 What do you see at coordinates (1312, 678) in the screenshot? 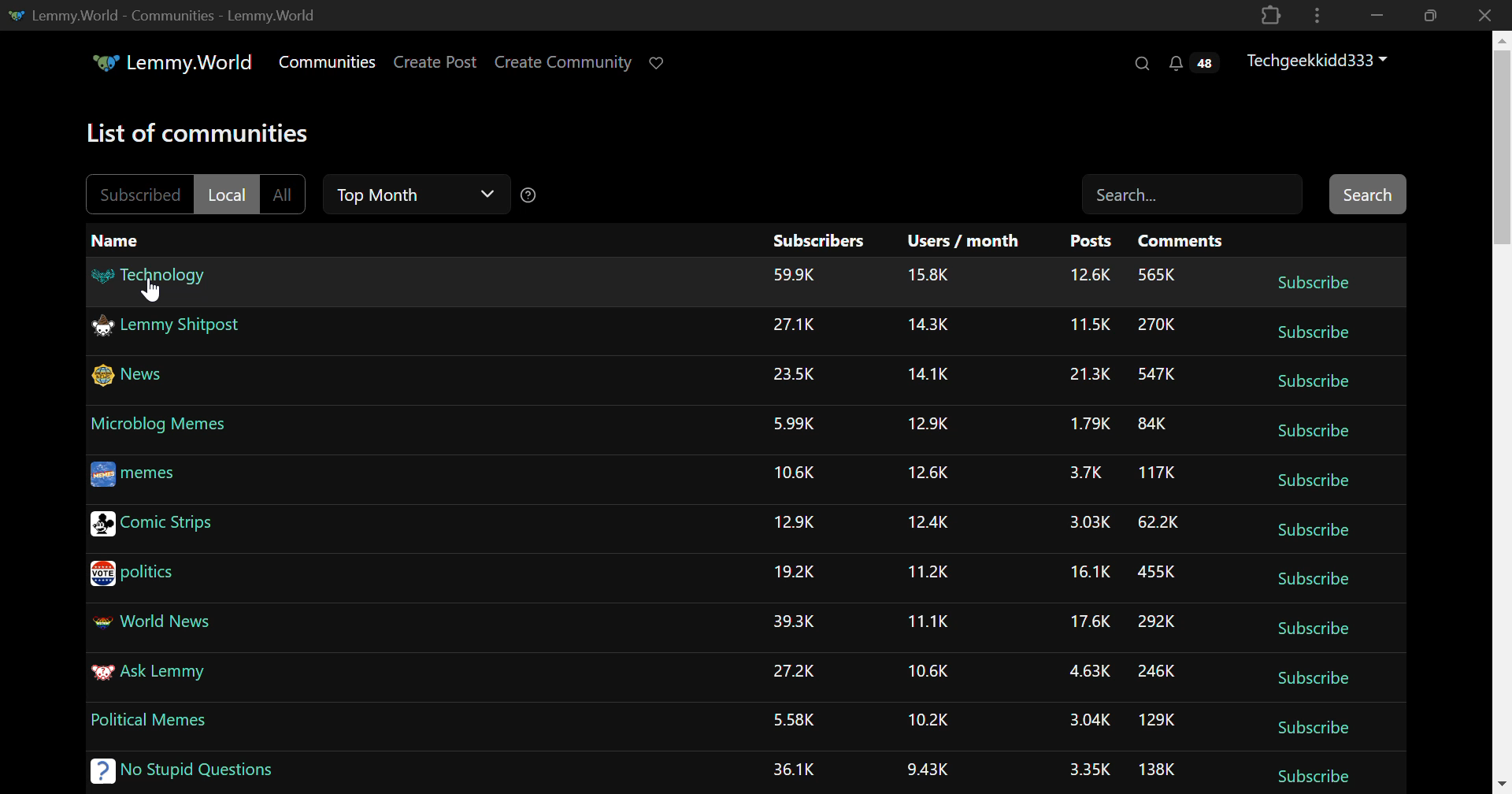
I see `Subscribe` at bounding box center [1312, 678].